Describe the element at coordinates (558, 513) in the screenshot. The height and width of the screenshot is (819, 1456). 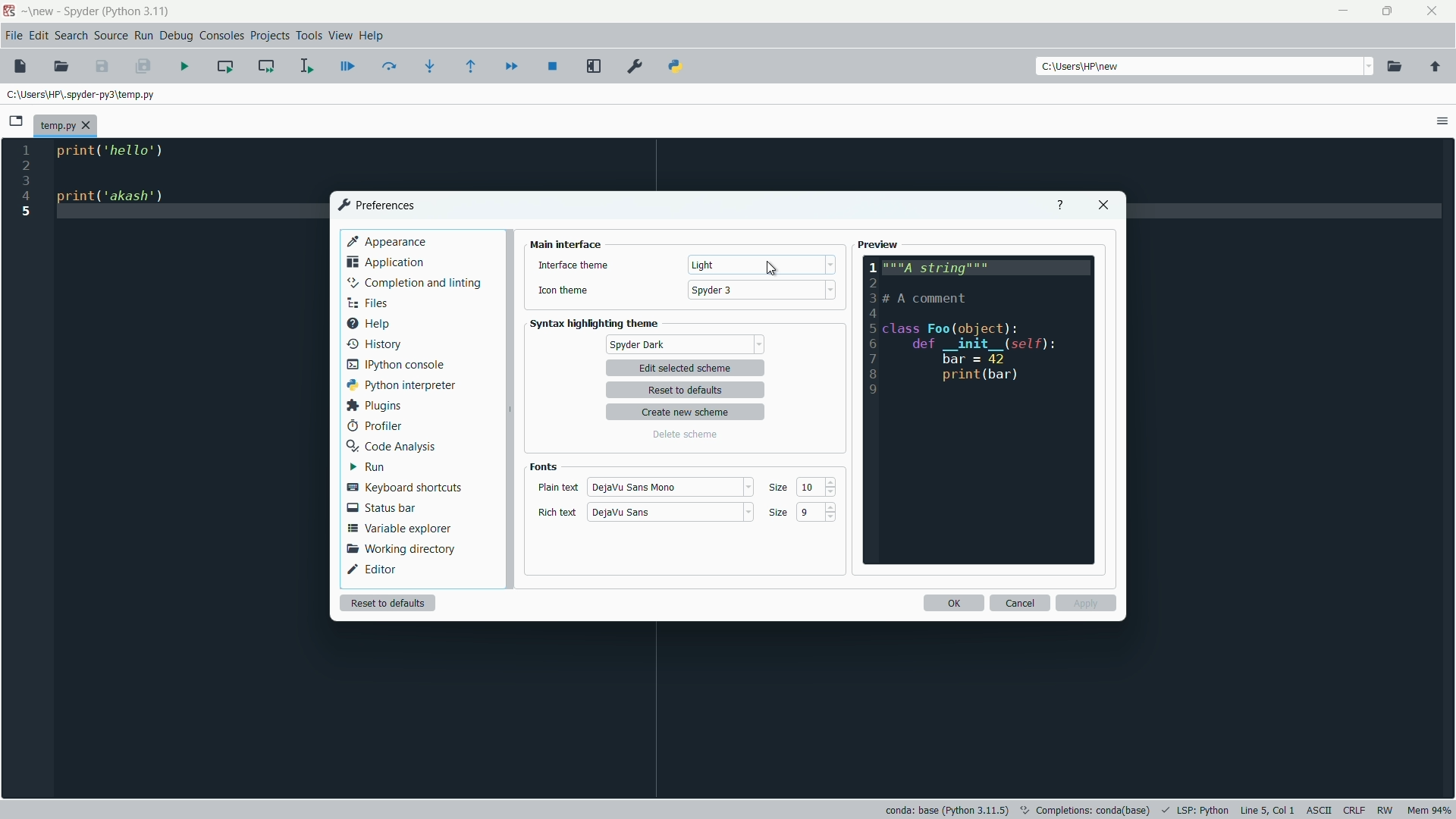
I see `rich text` at that location.